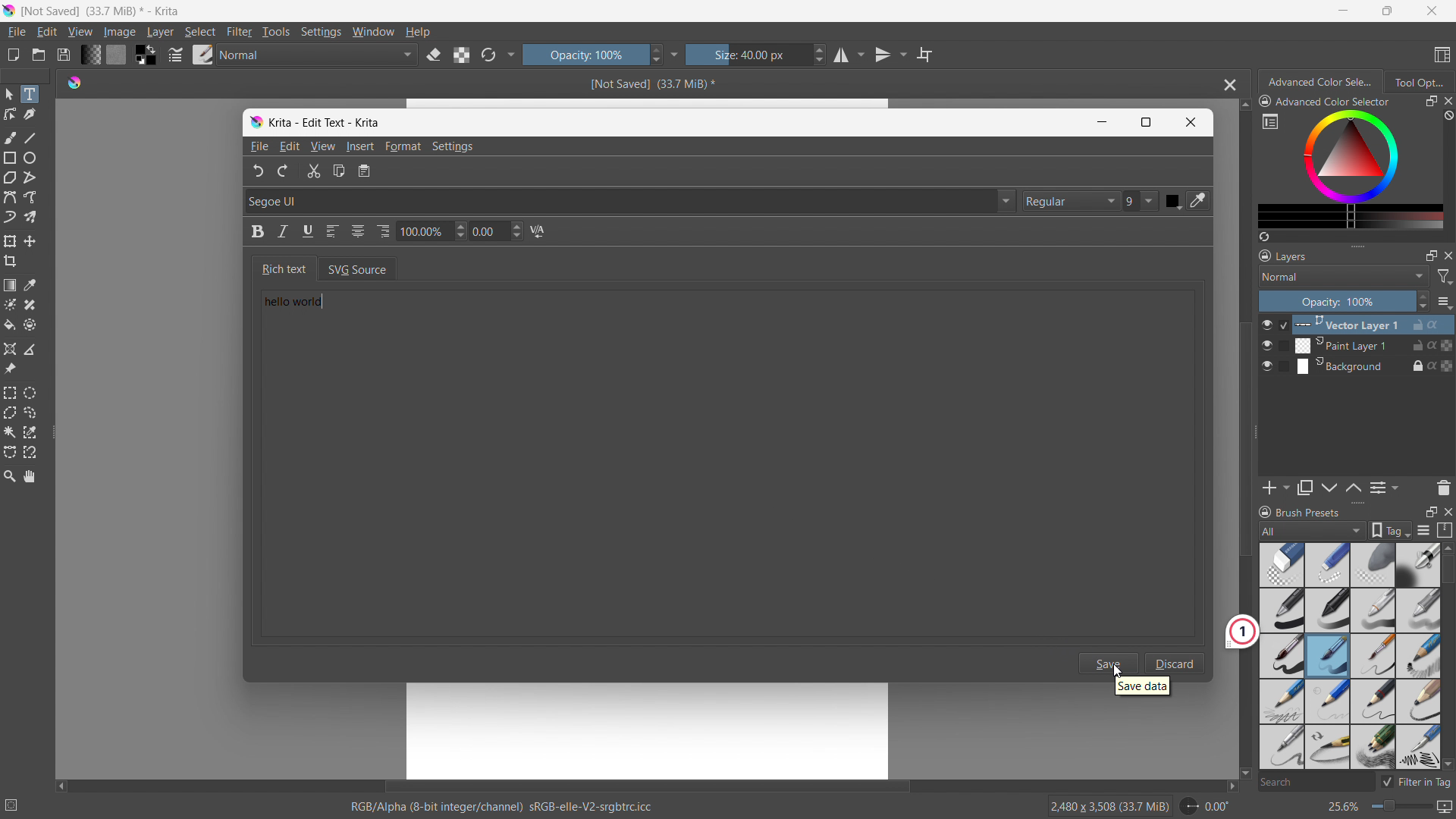 This screenshot has height=819, width=1456. What do you see at coordinates (1391, 530) in the screenshot?
I see `tags` at bounding box center [1391, 530].